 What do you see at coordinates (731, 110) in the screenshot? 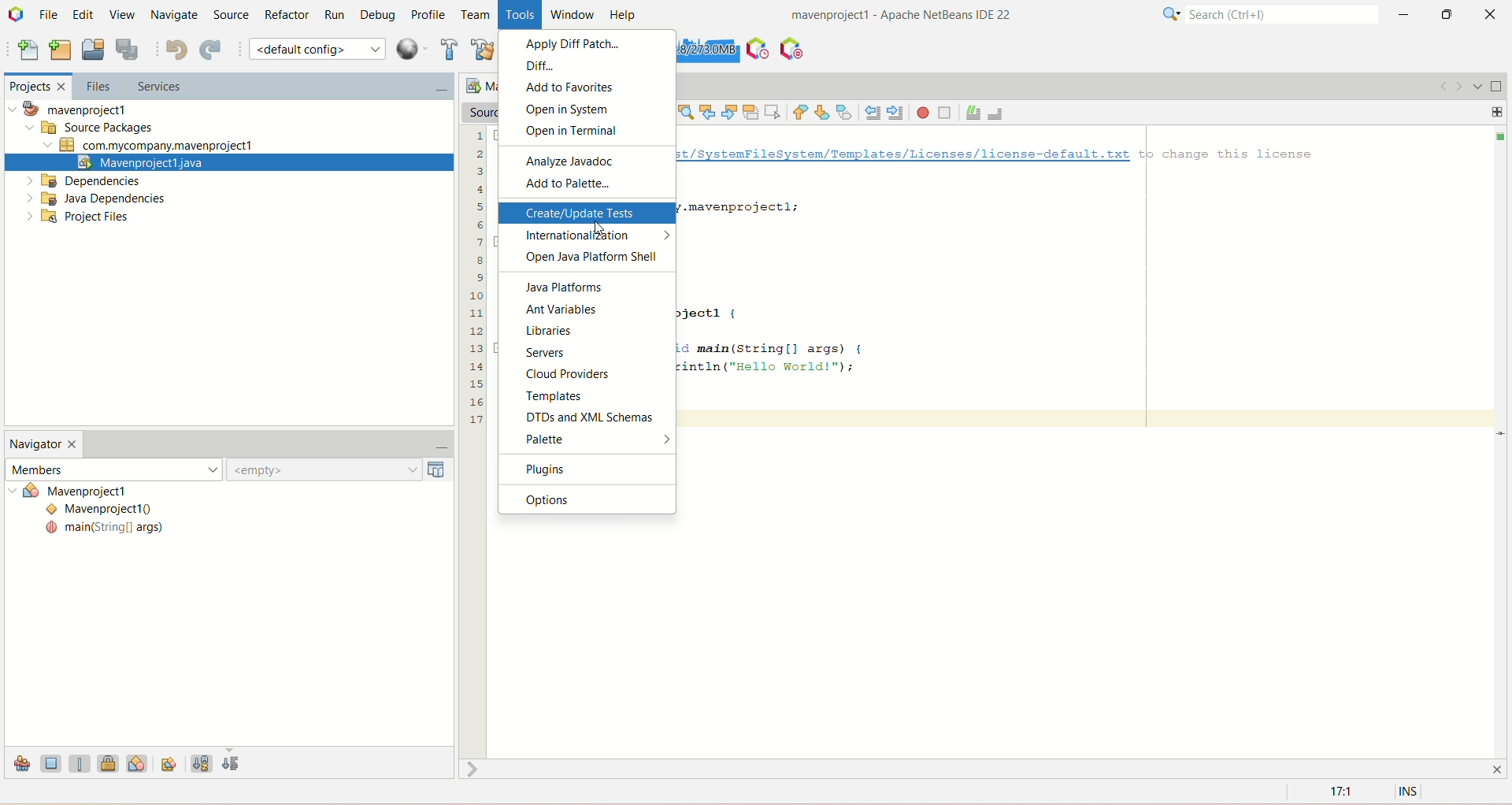
I see `find next occurrence` at bounding box center [731, 110].